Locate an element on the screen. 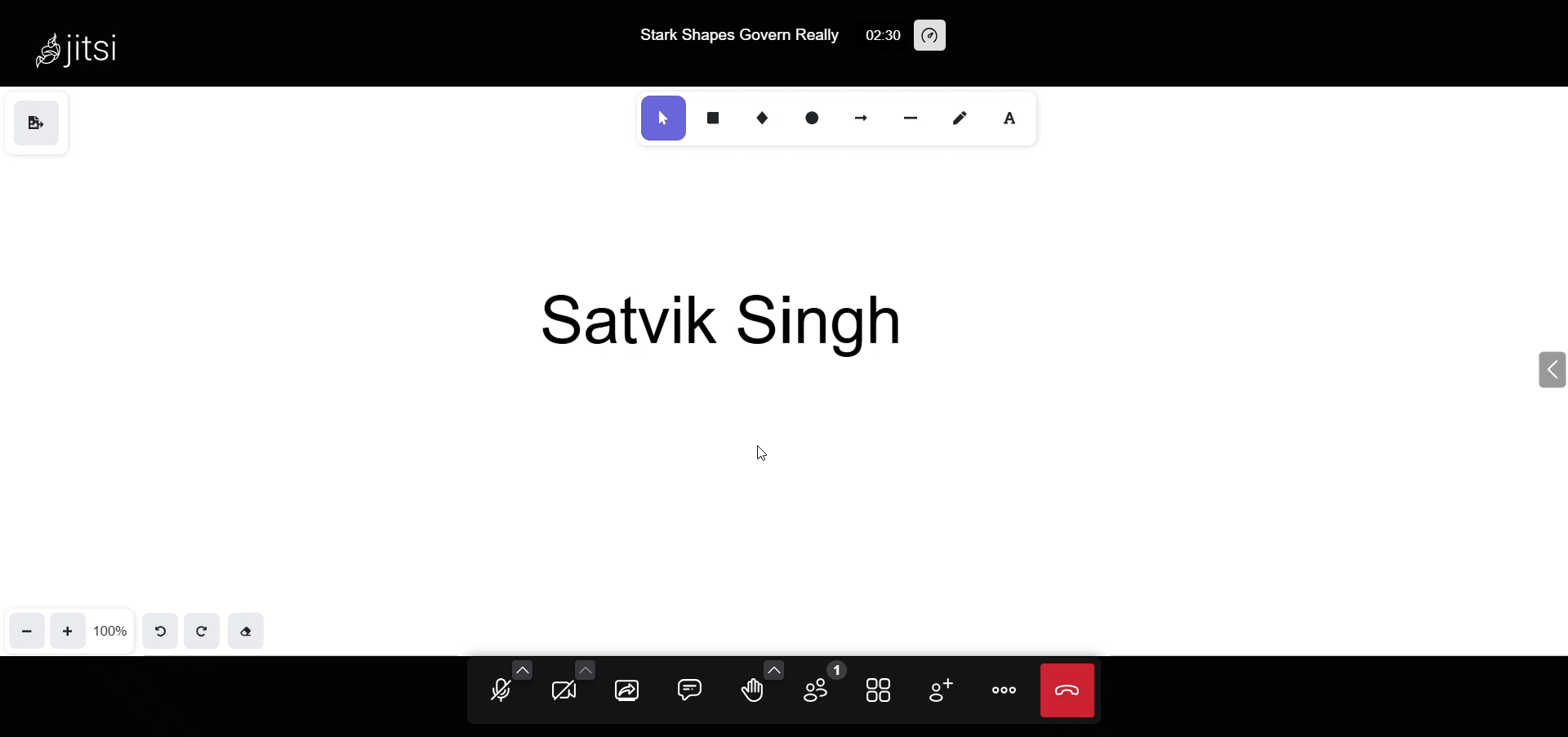 The image size is (1568, 737). Jitsi is located at coordinates (82, 42).